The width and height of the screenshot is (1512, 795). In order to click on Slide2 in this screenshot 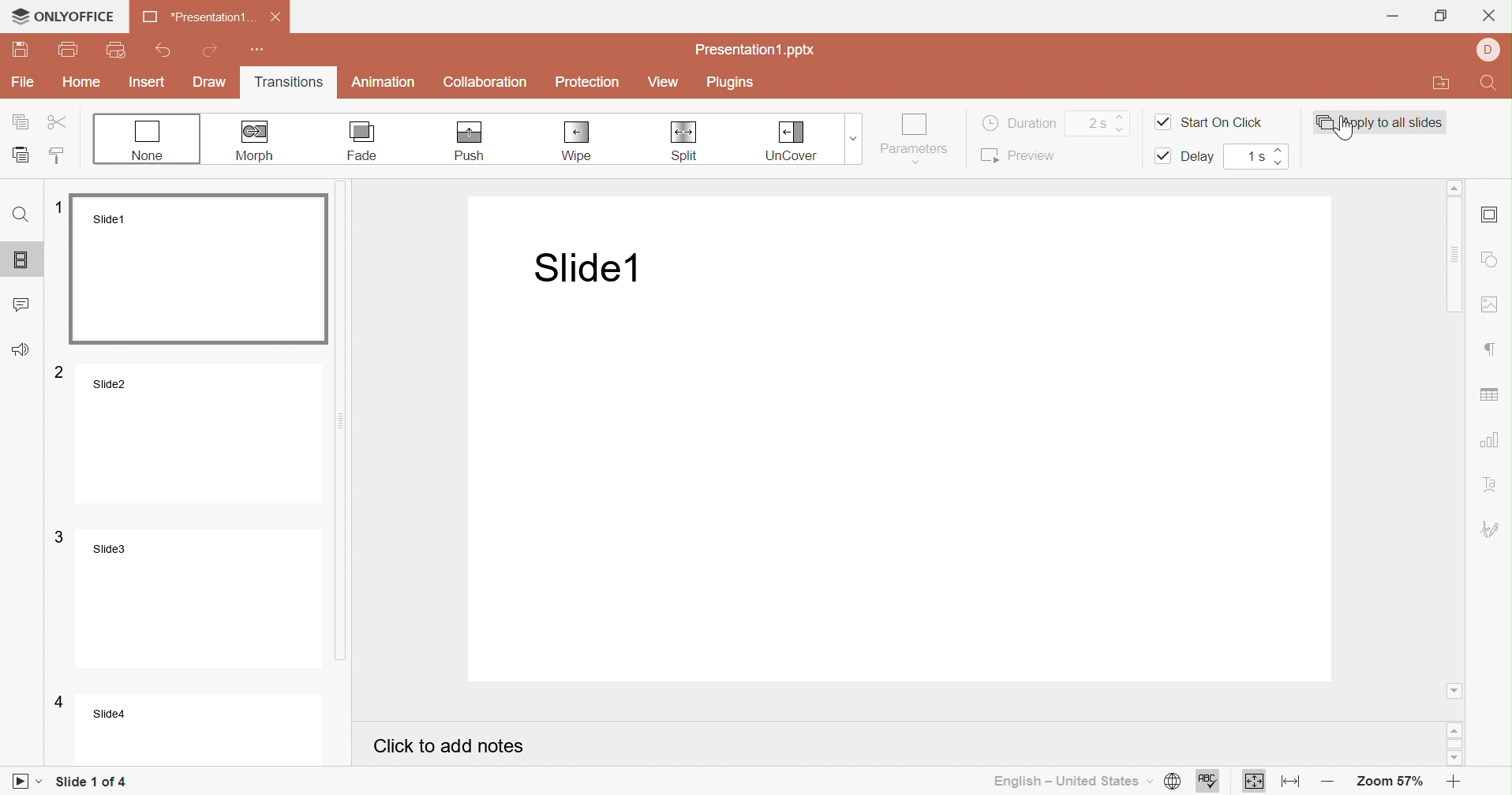, I will do `click(202, 431)`.